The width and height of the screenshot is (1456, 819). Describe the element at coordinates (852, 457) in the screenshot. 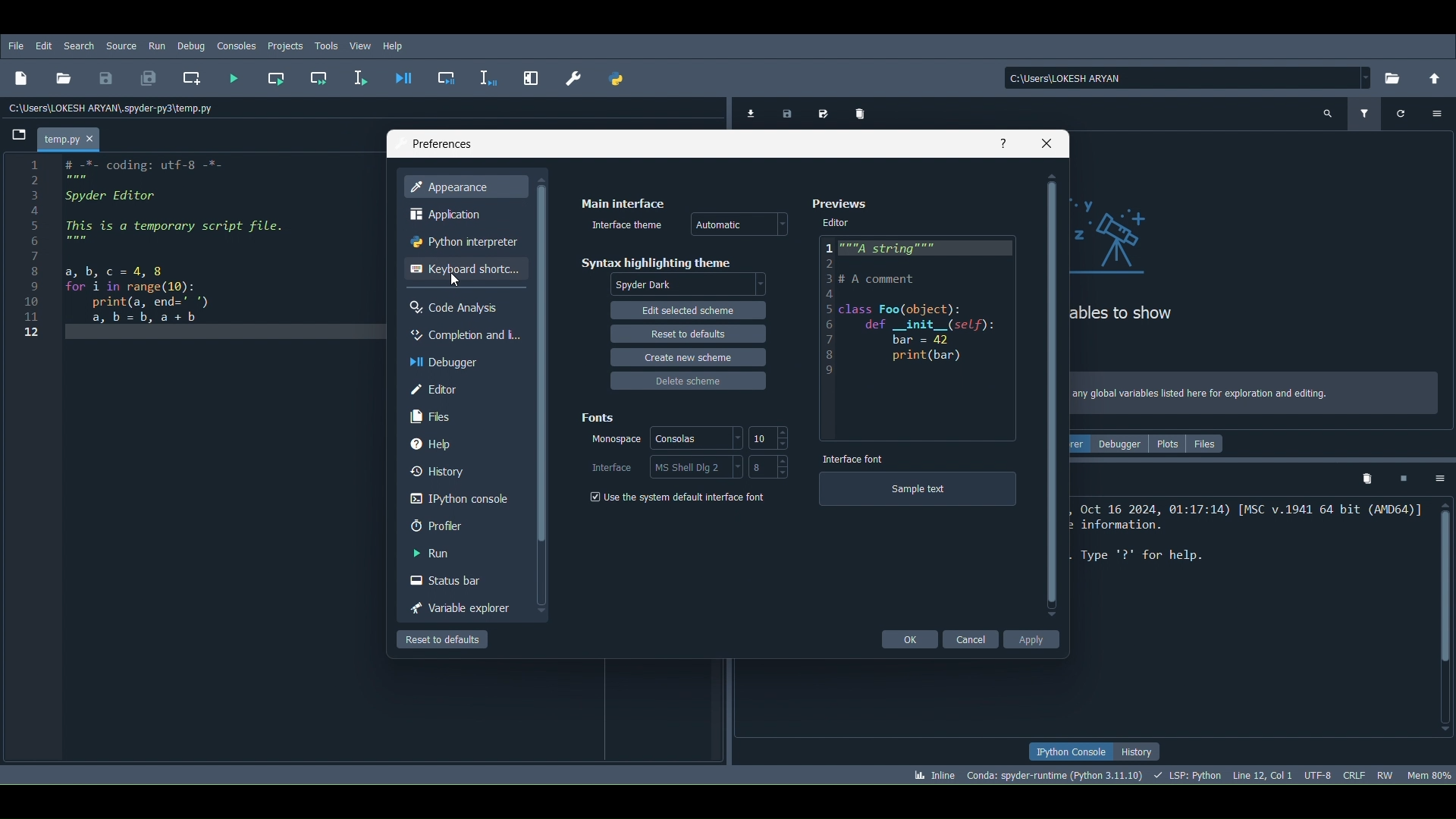

I see `Interface font` at that location.